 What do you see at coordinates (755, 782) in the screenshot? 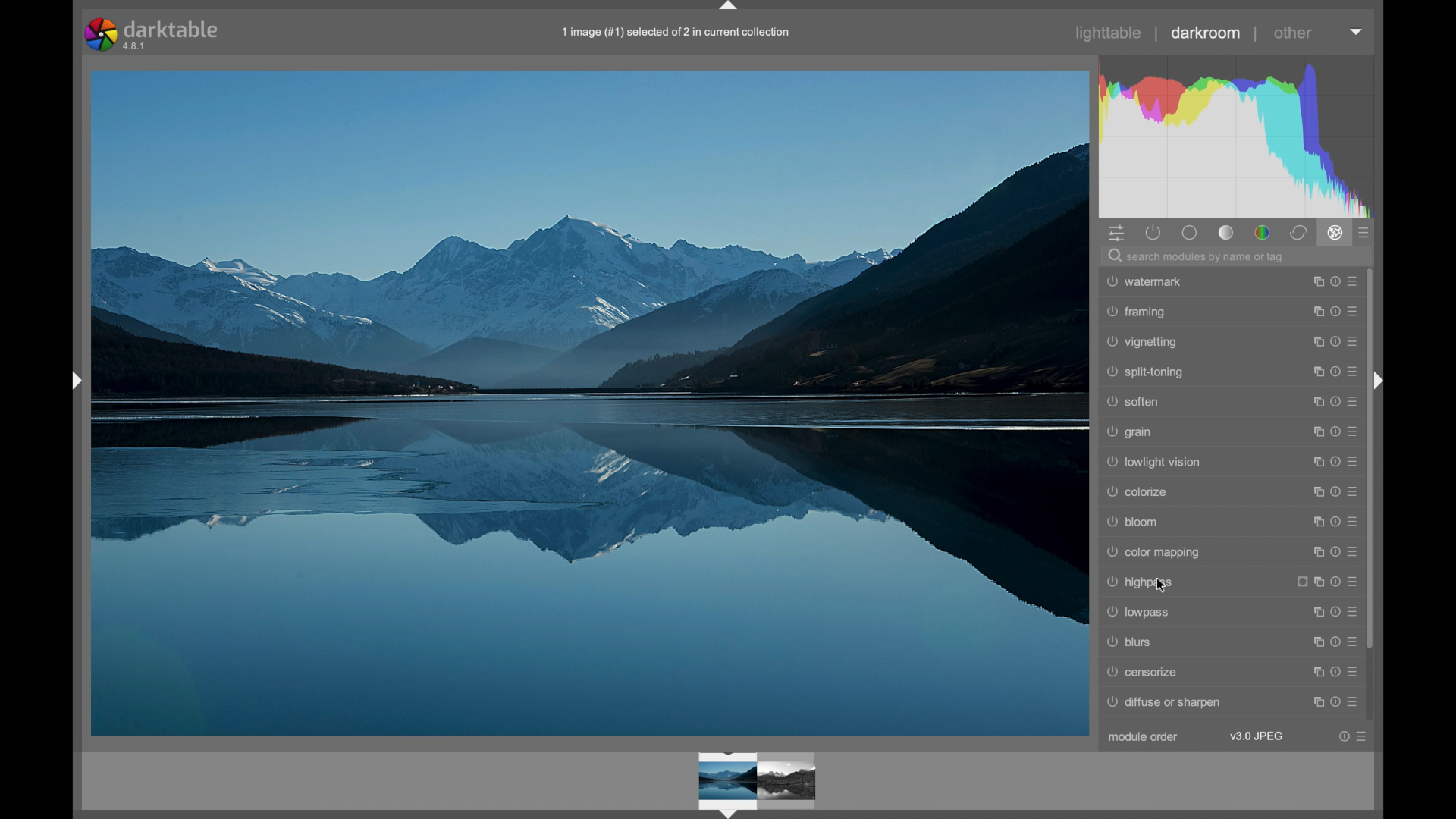
I see `photo preview` at bounding box center [755, 782].